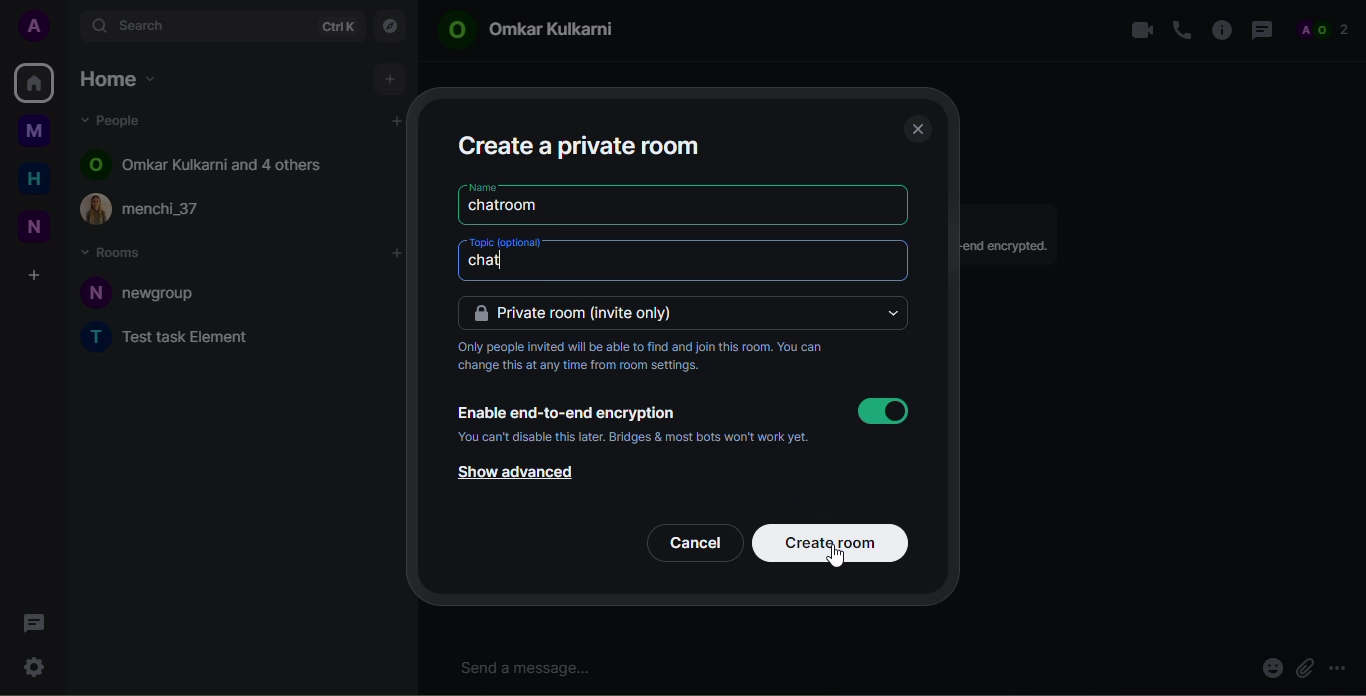  I want to click on private room (invite only), so click(580, 312).